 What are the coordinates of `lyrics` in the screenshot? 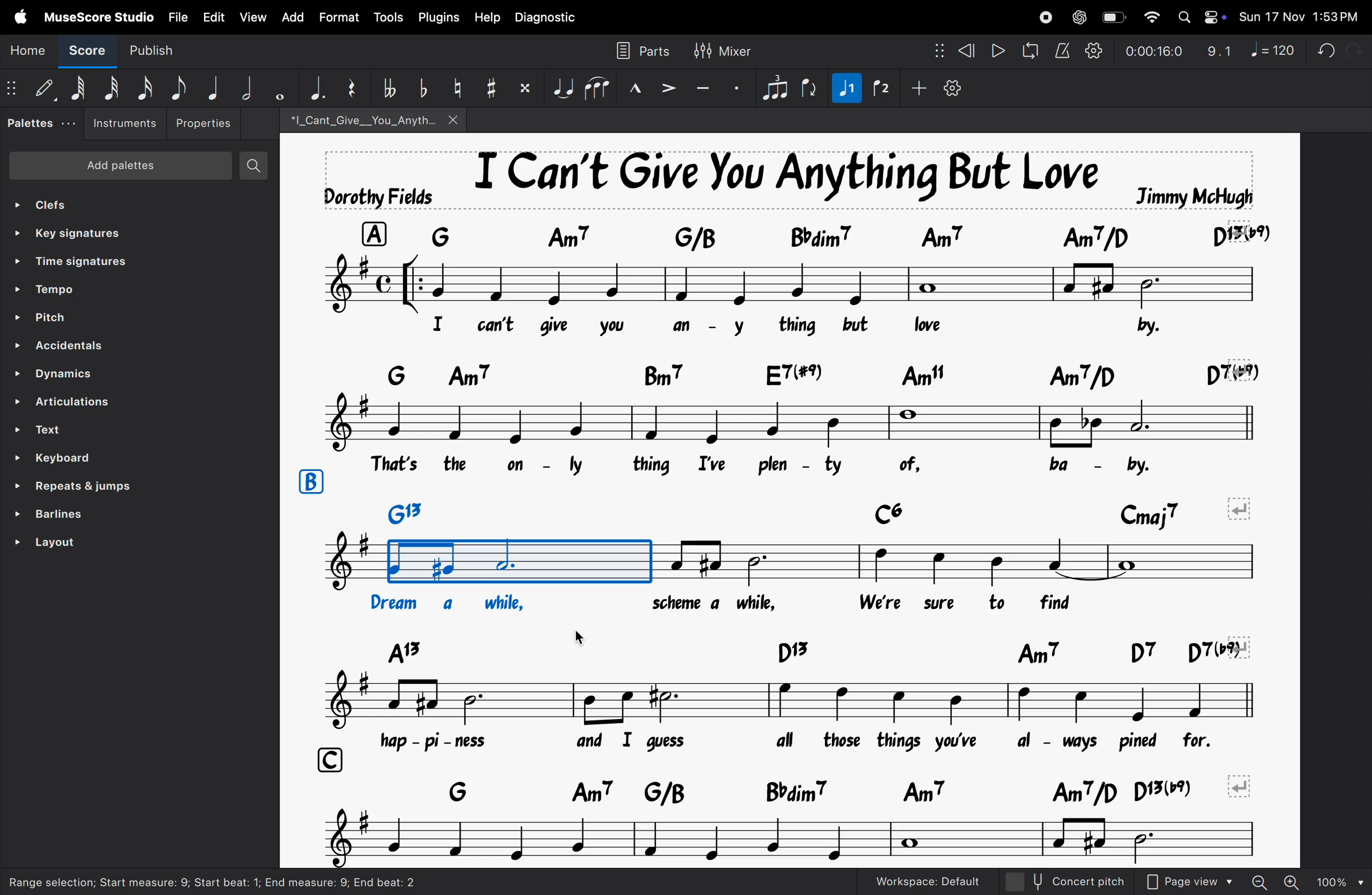 It's located at (785, 464).